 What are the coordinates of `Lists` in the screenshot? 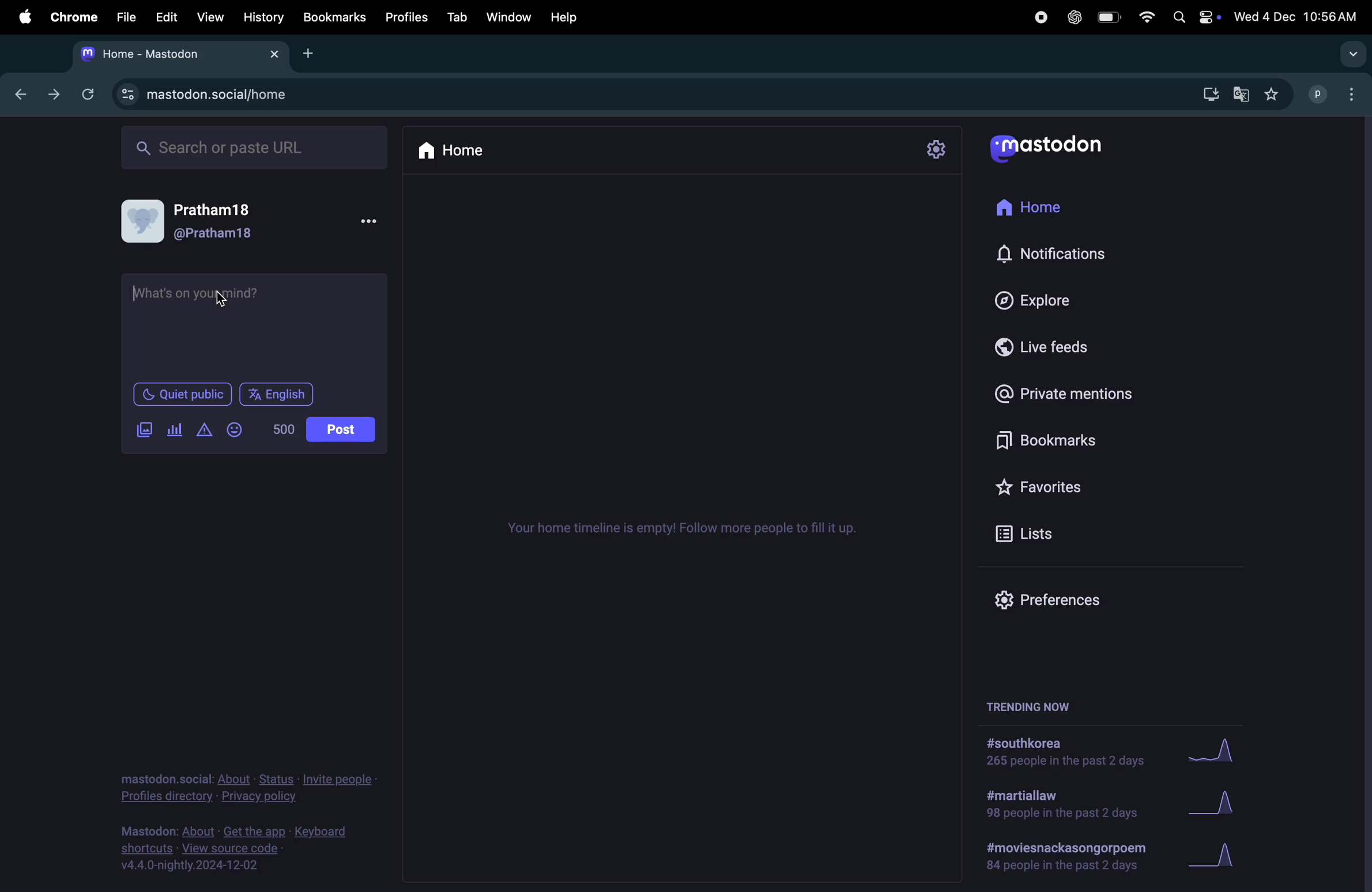 It's located at (1046, 533).